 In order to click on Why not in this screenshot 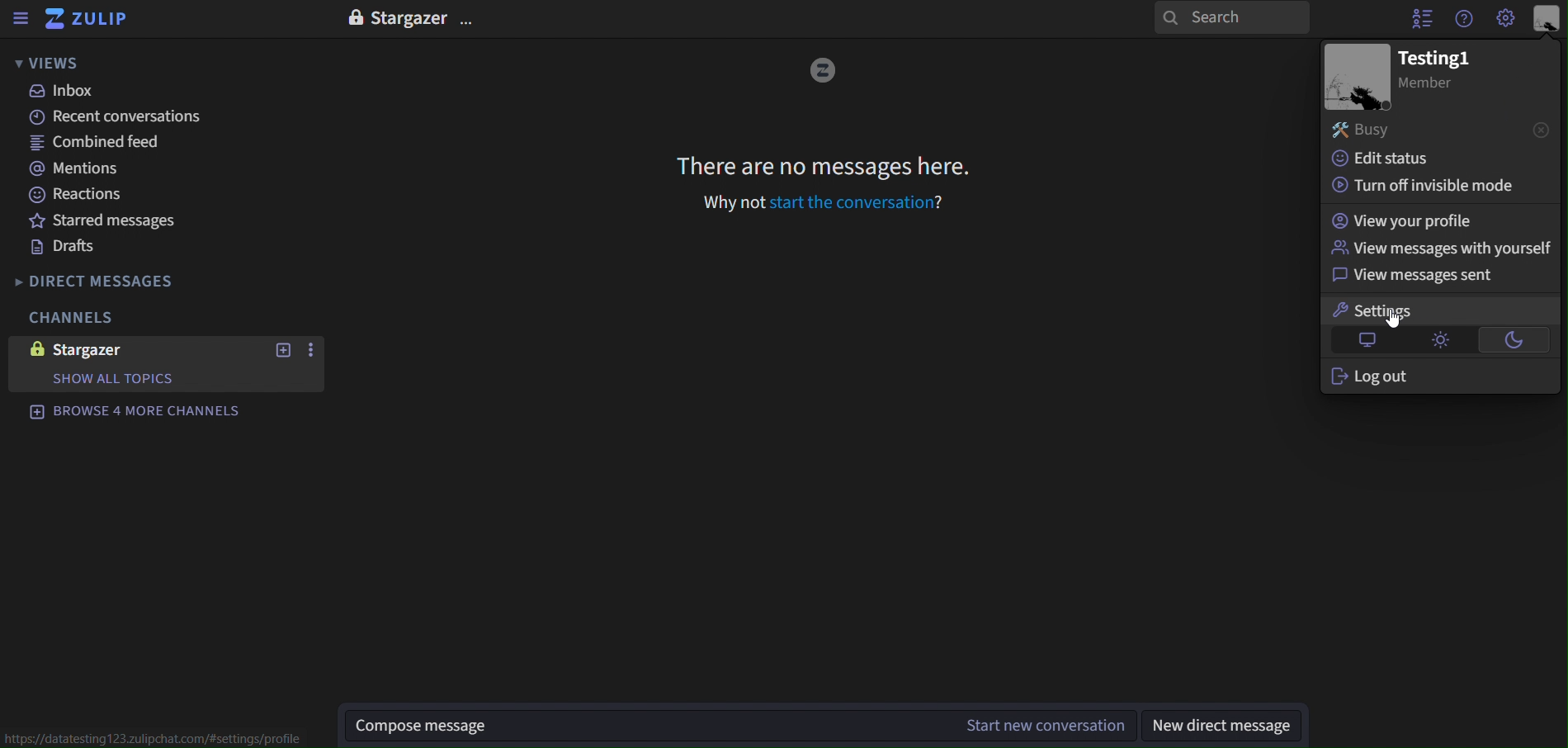, I will do `click(730, 202)`.